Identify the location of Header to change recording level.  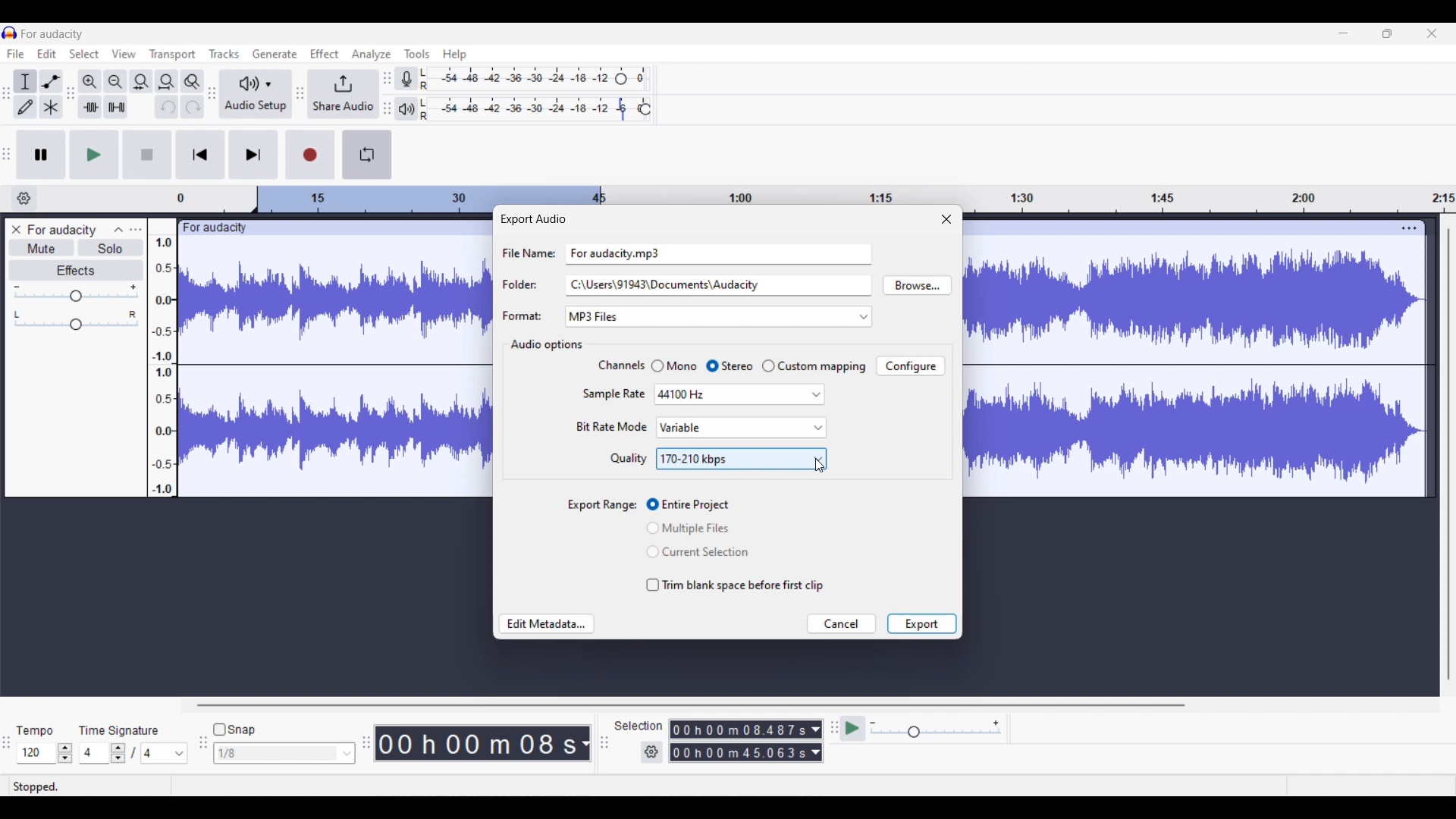
(621, 79).